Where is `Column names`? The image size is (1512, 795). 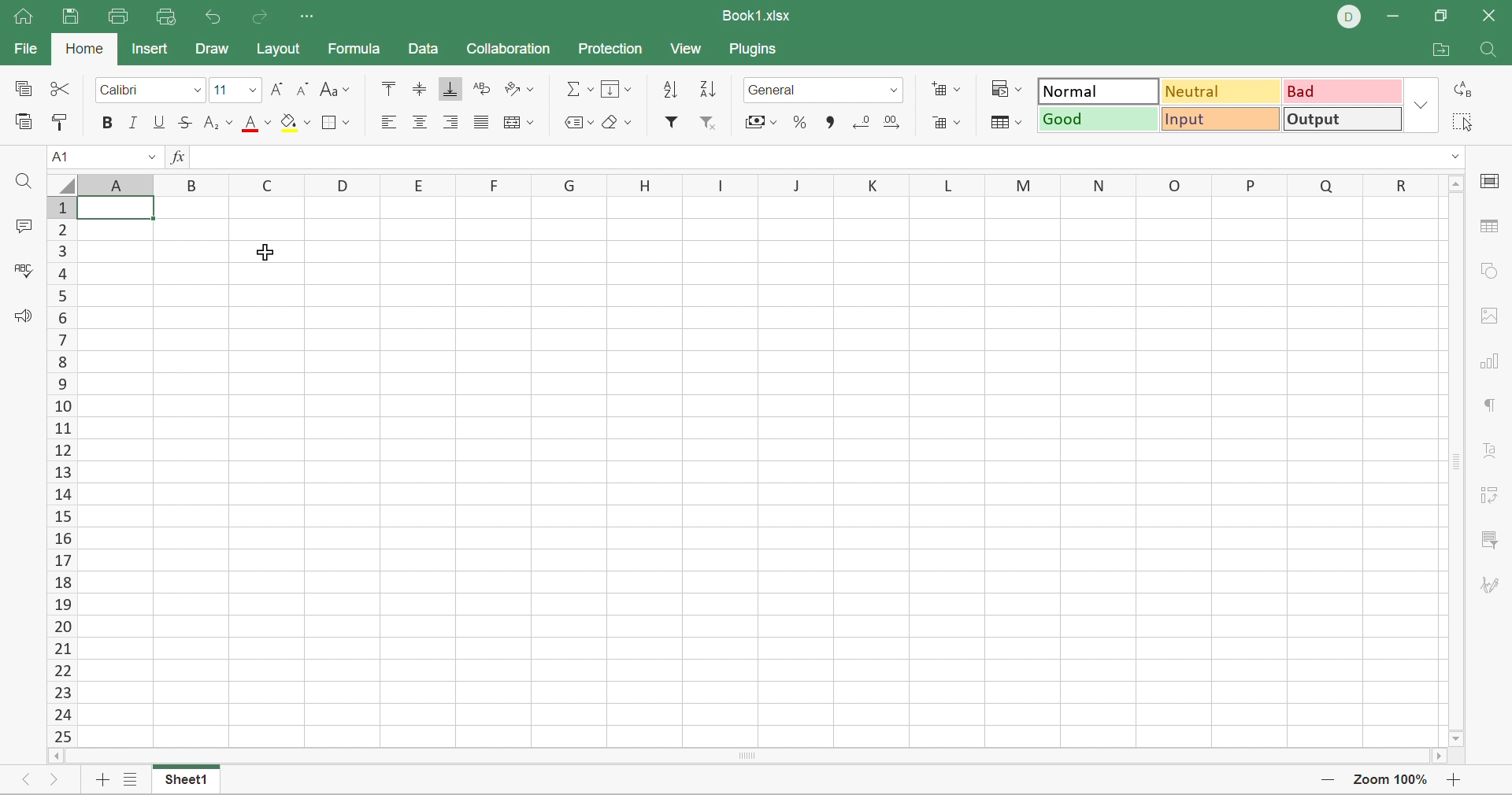
Column names is located at coordinates (757, 186).